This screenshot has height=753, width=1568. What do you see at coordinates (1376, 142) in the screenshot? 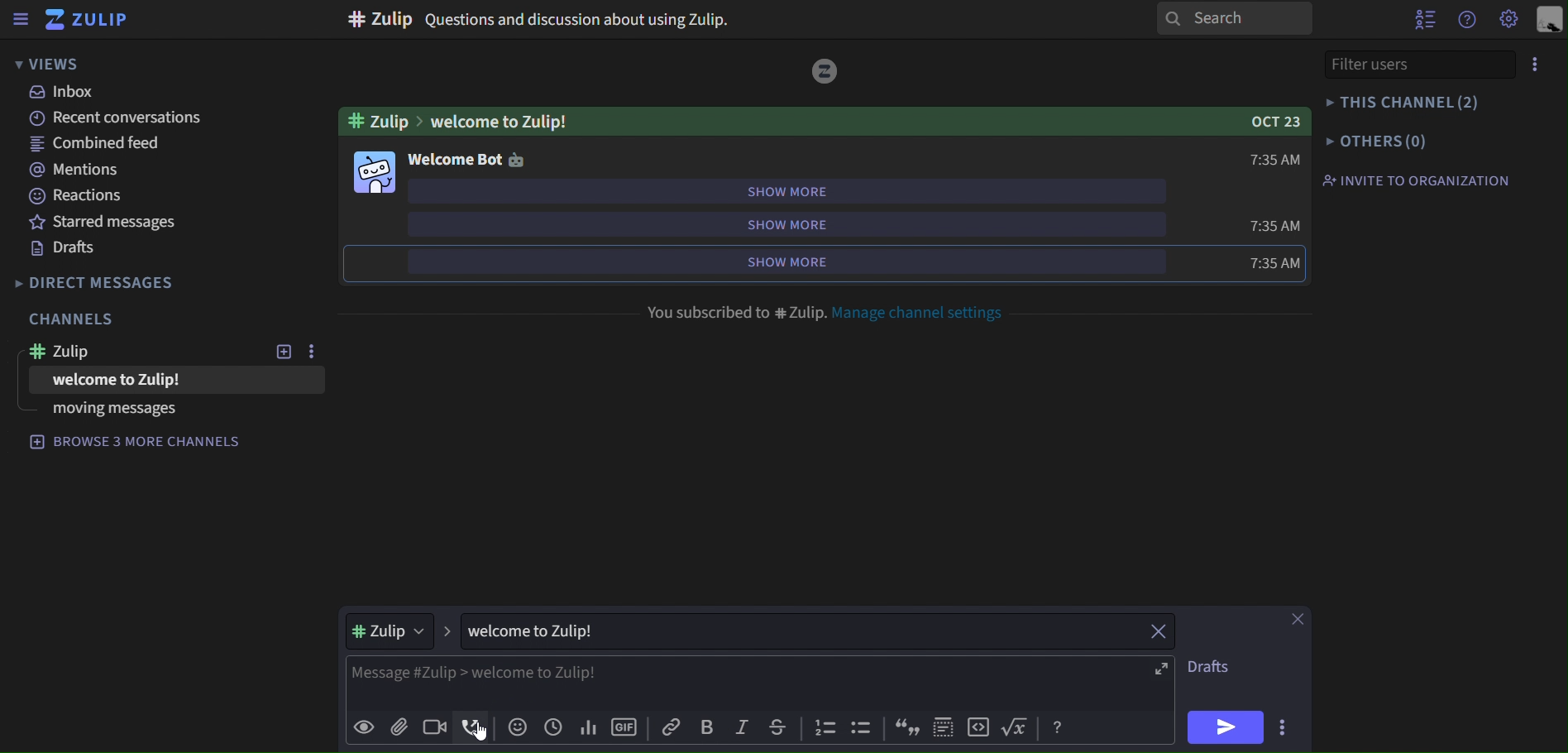
I see `others(0)` at bounding box center [1376, 142].